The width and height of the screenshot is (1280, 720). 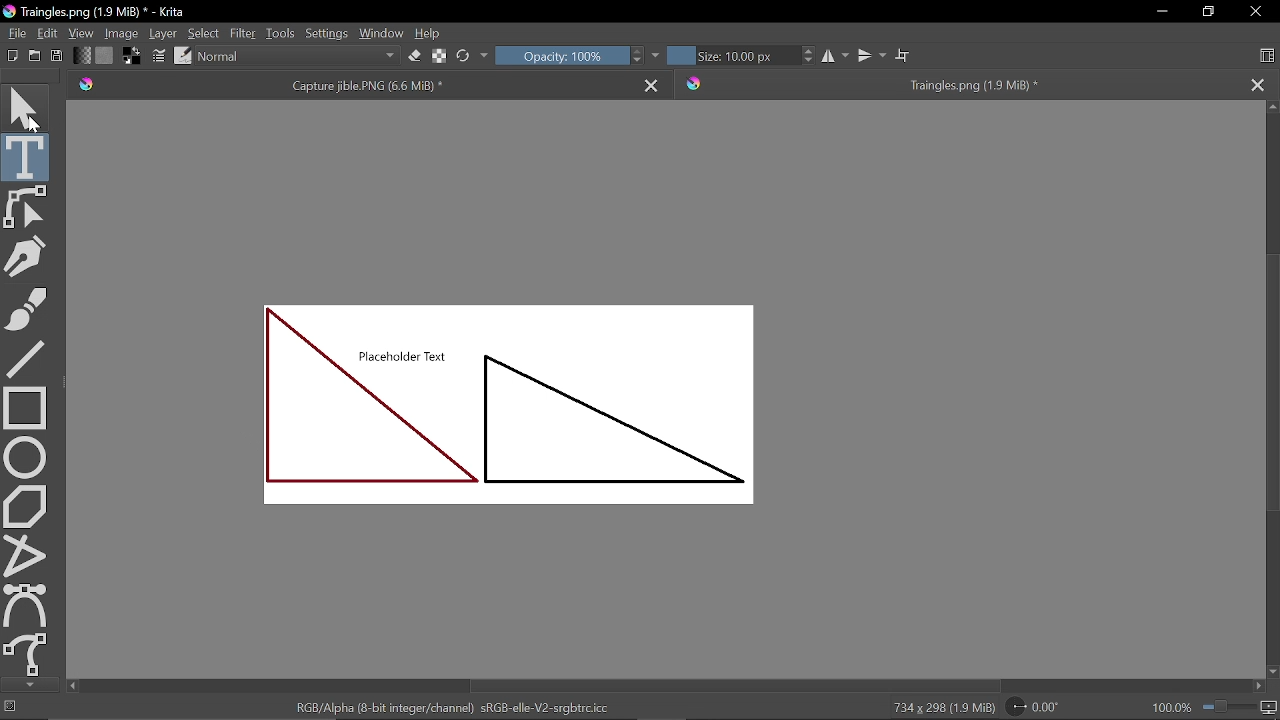 What do you see at coordinates (26, 407) in the screenshot?
I see `Rectangular tool` at bounding box center [26, 407].